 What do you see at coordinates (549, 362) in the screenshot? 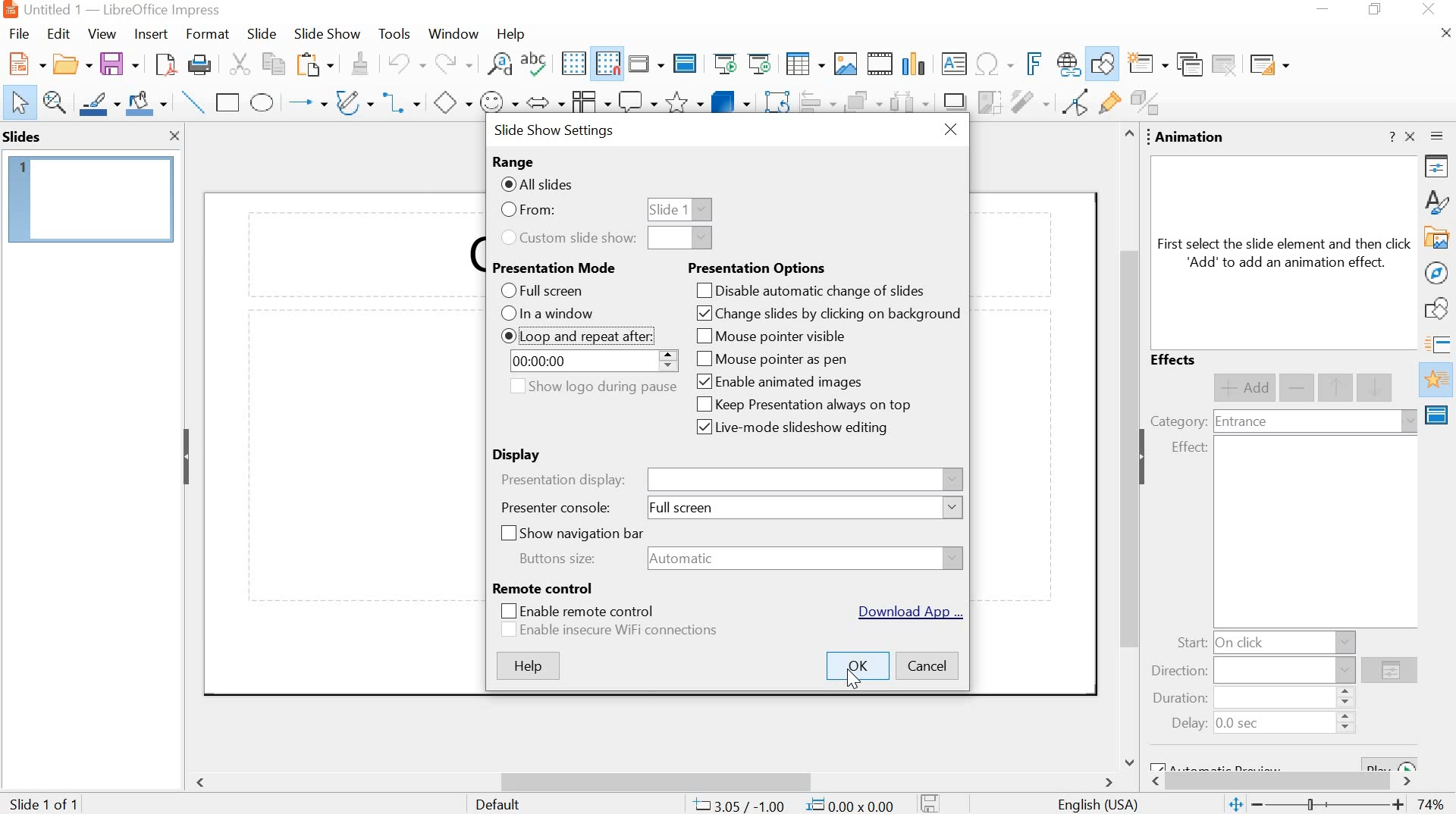
I see `time` at bounding box center [549, 362].